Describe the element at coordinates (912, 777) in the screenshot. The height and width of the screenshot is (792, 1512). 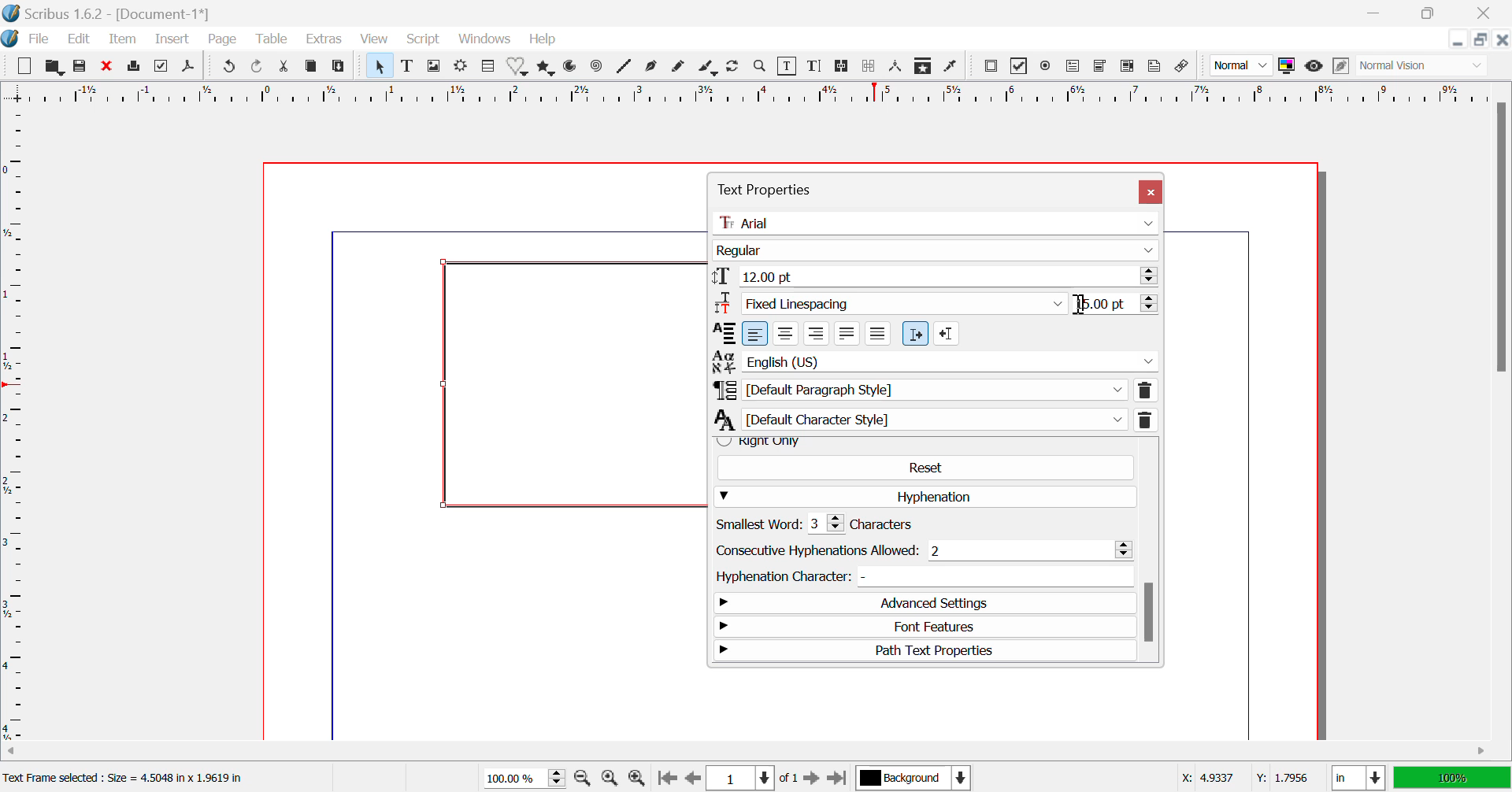
I see `Background` at that location.